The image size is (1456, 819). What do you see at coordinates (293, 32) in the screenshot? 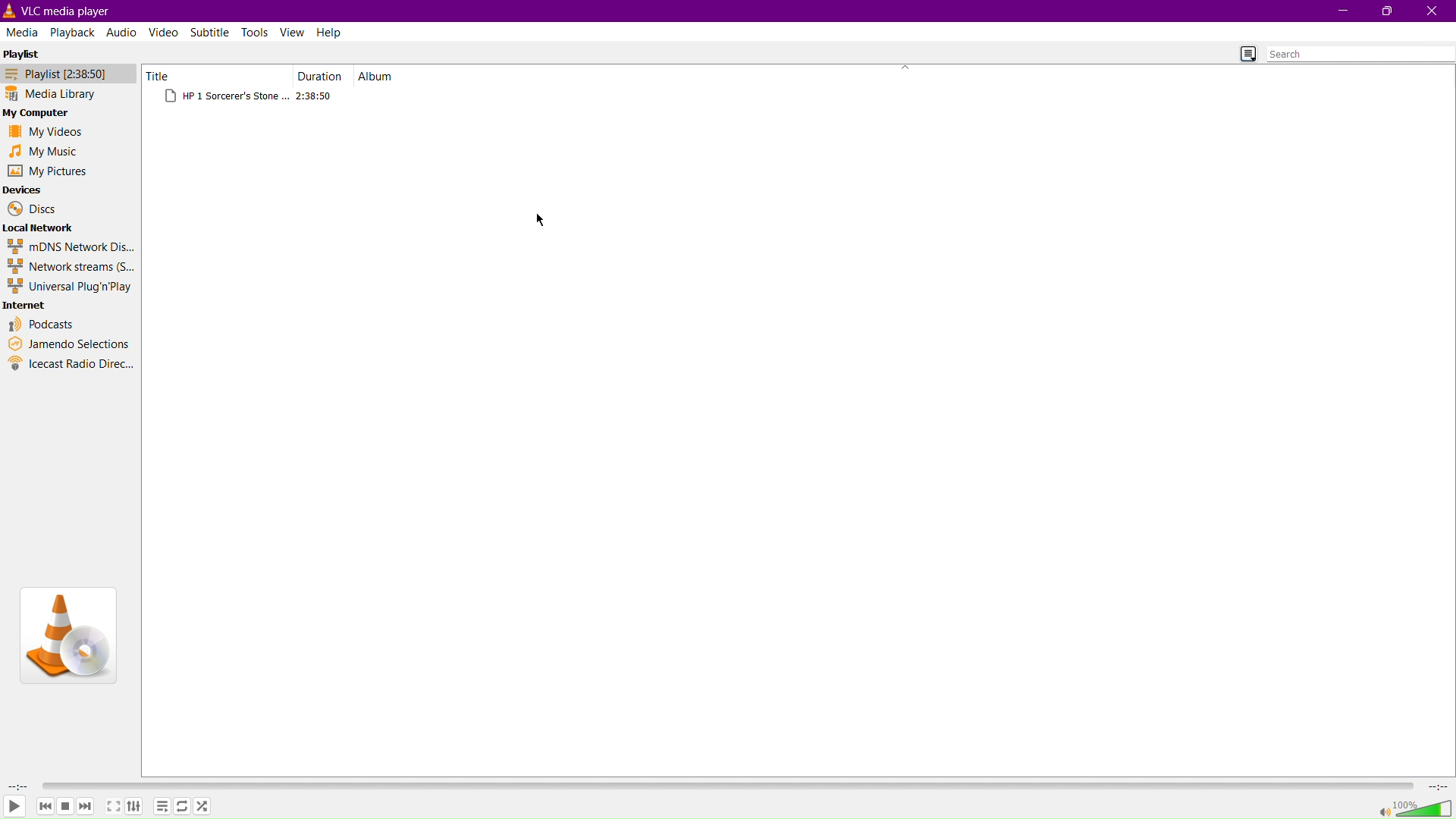
I see `View` at bounding box center [293, 32].